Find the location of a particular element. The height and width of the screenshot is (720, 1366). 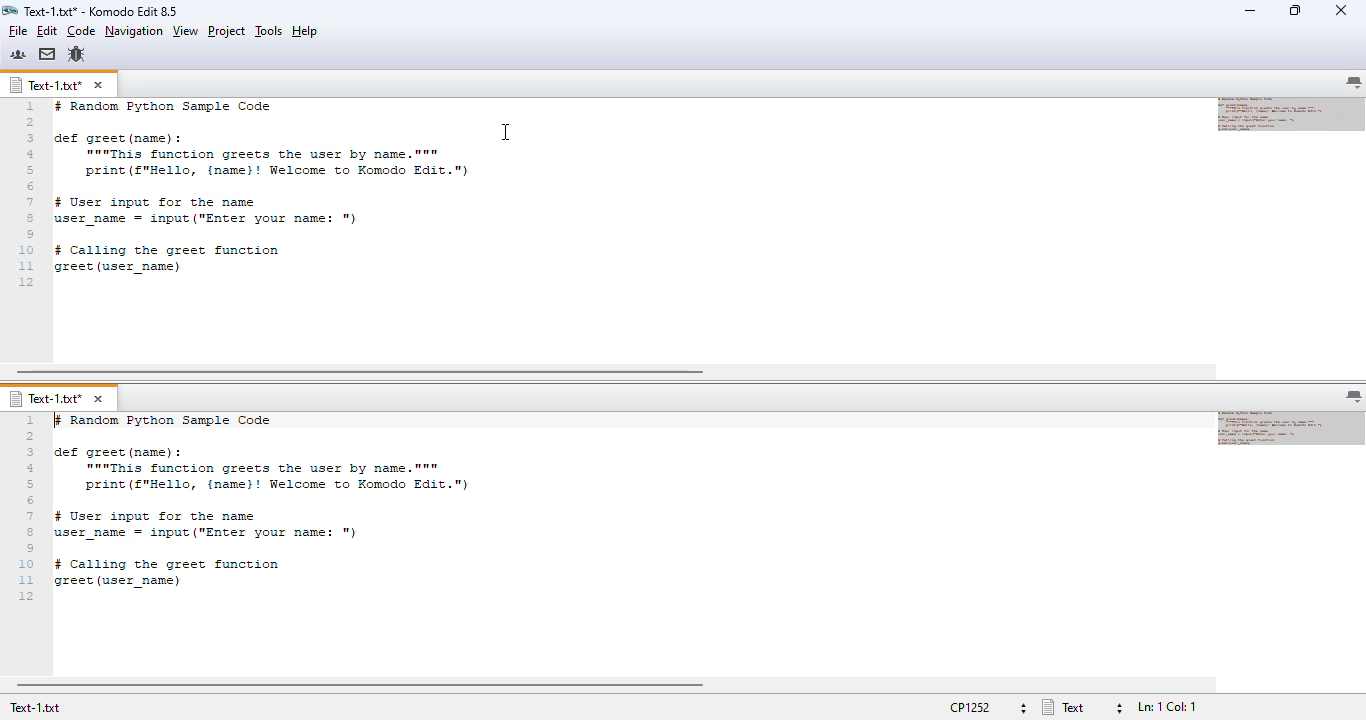

komodo email lists is located at coordinates (47, 54).